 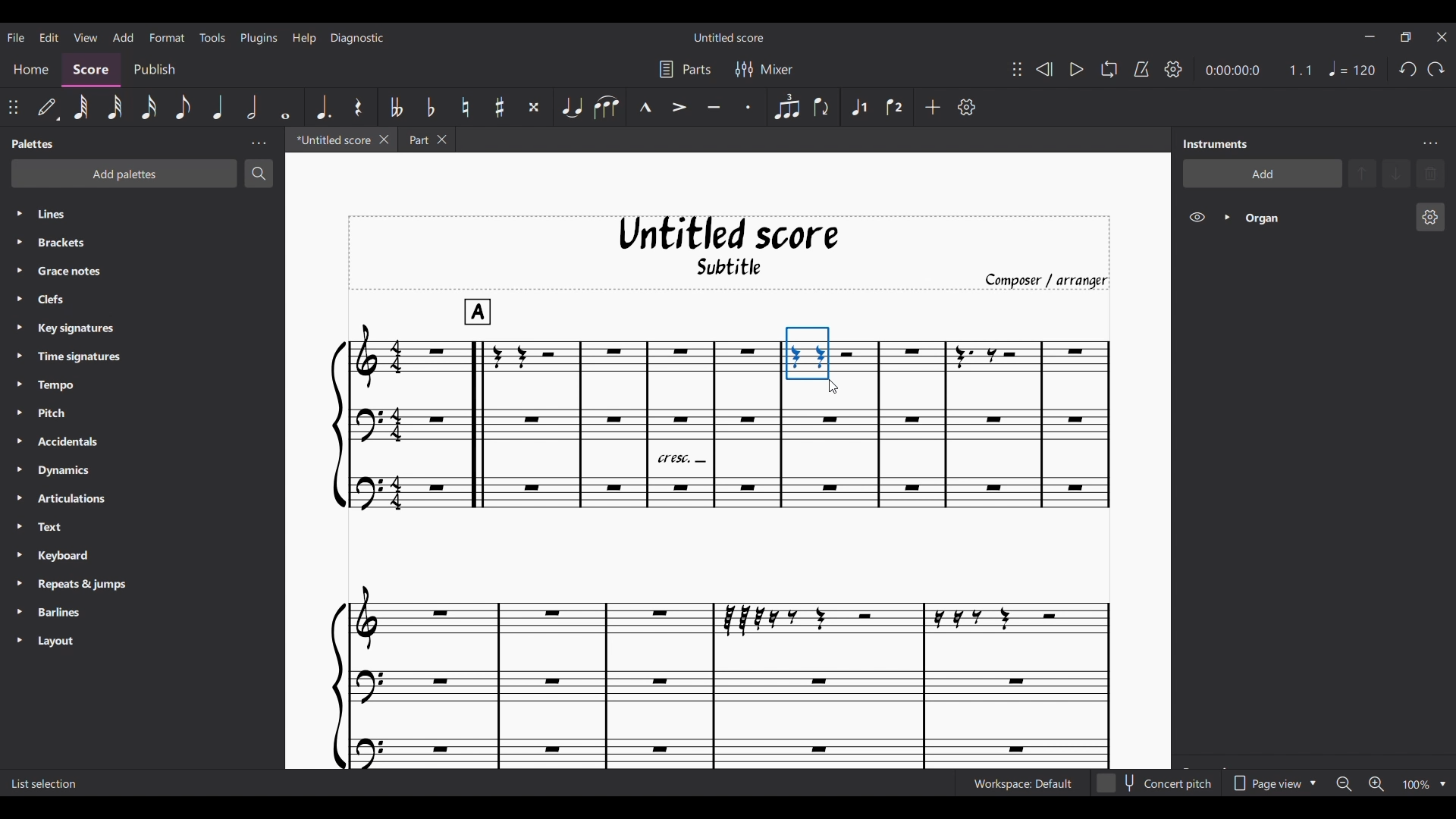 I want to click on Minimize, so click(x=1370, y=36).